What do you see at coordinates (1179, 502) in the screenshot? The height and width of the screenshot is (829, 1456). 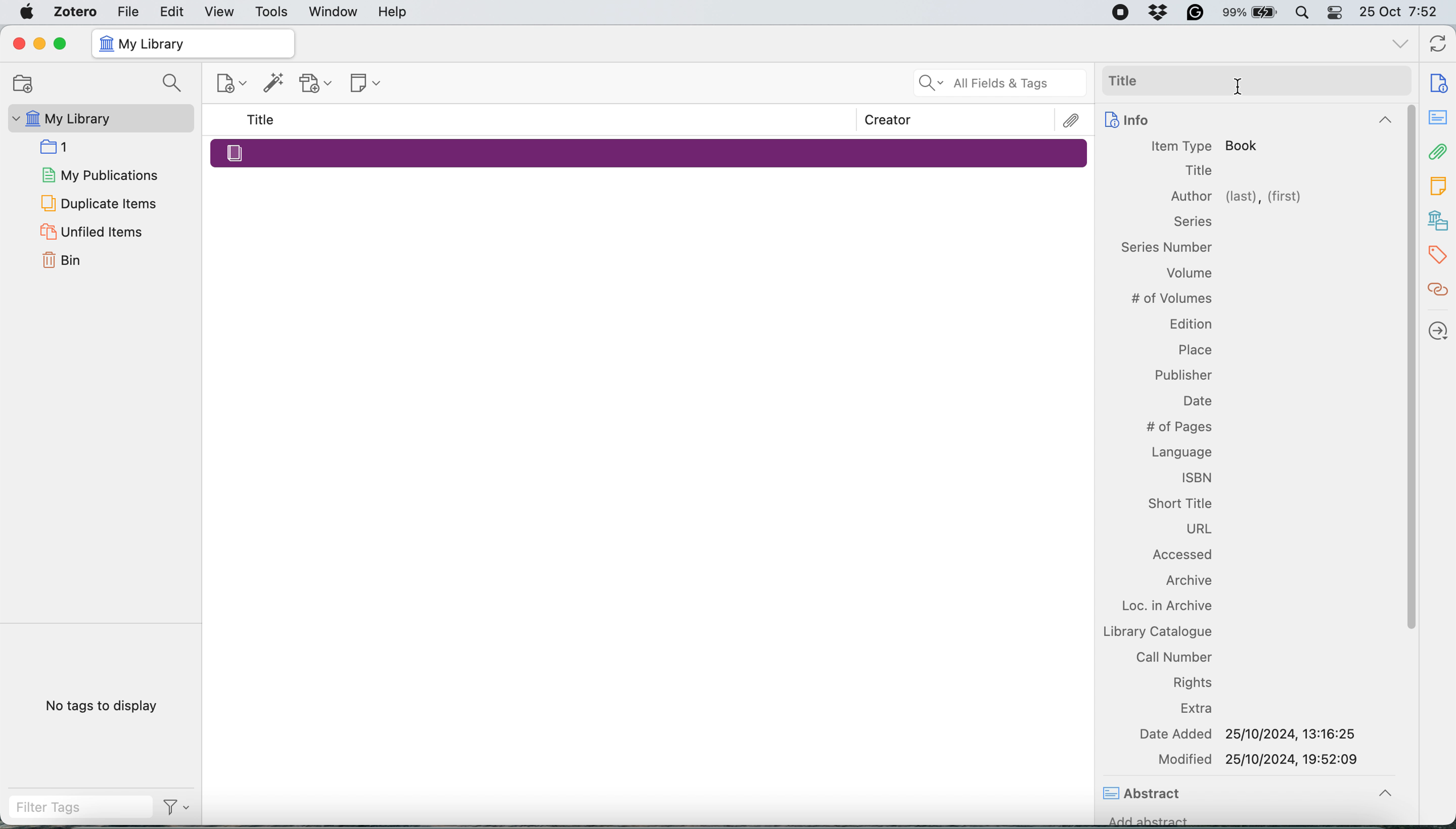 I see `Short Title` at bounding box center [1179, 502].